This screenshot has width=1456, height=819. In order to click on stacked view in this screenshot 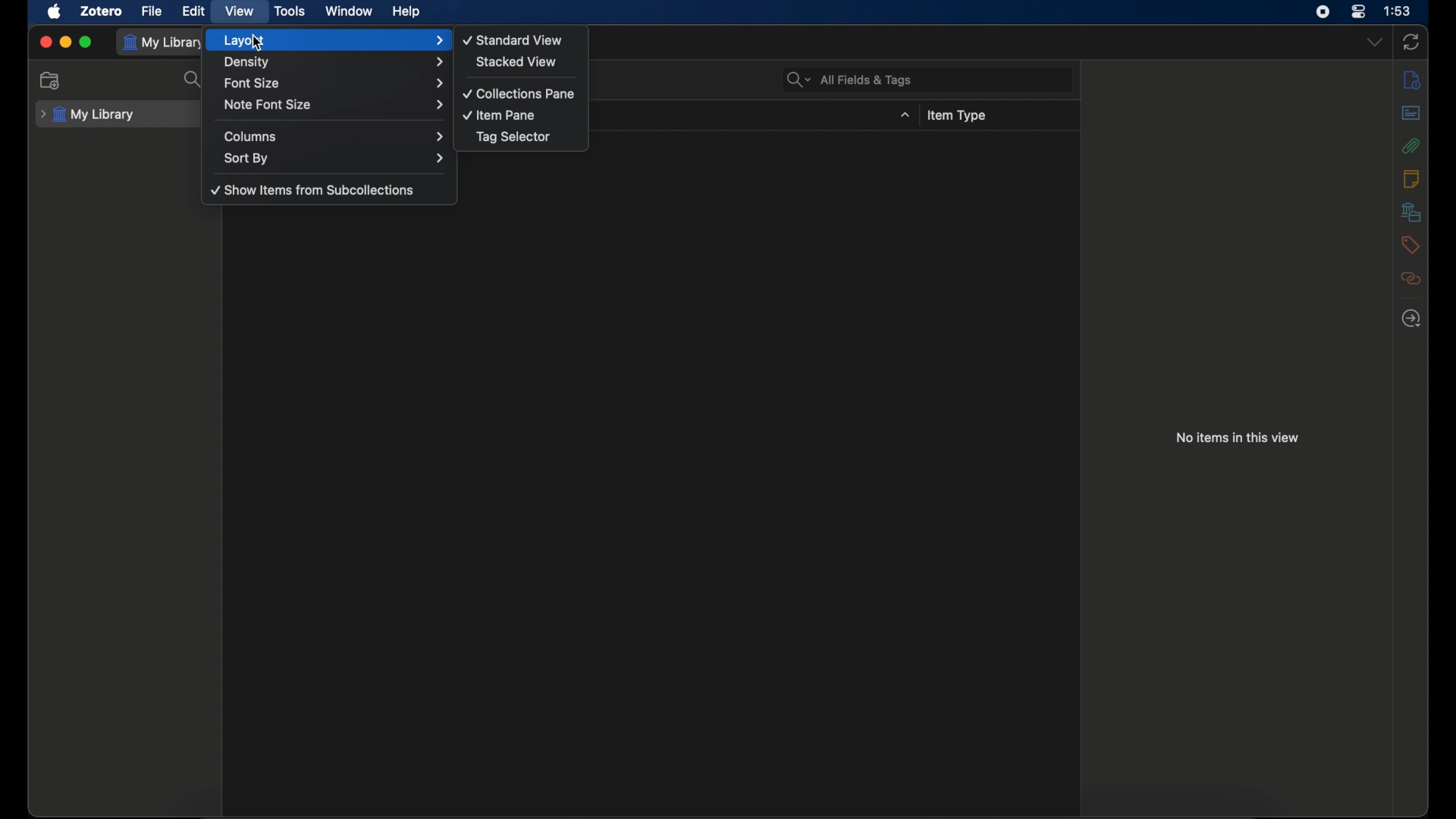, I will do `click(516, 61)`.